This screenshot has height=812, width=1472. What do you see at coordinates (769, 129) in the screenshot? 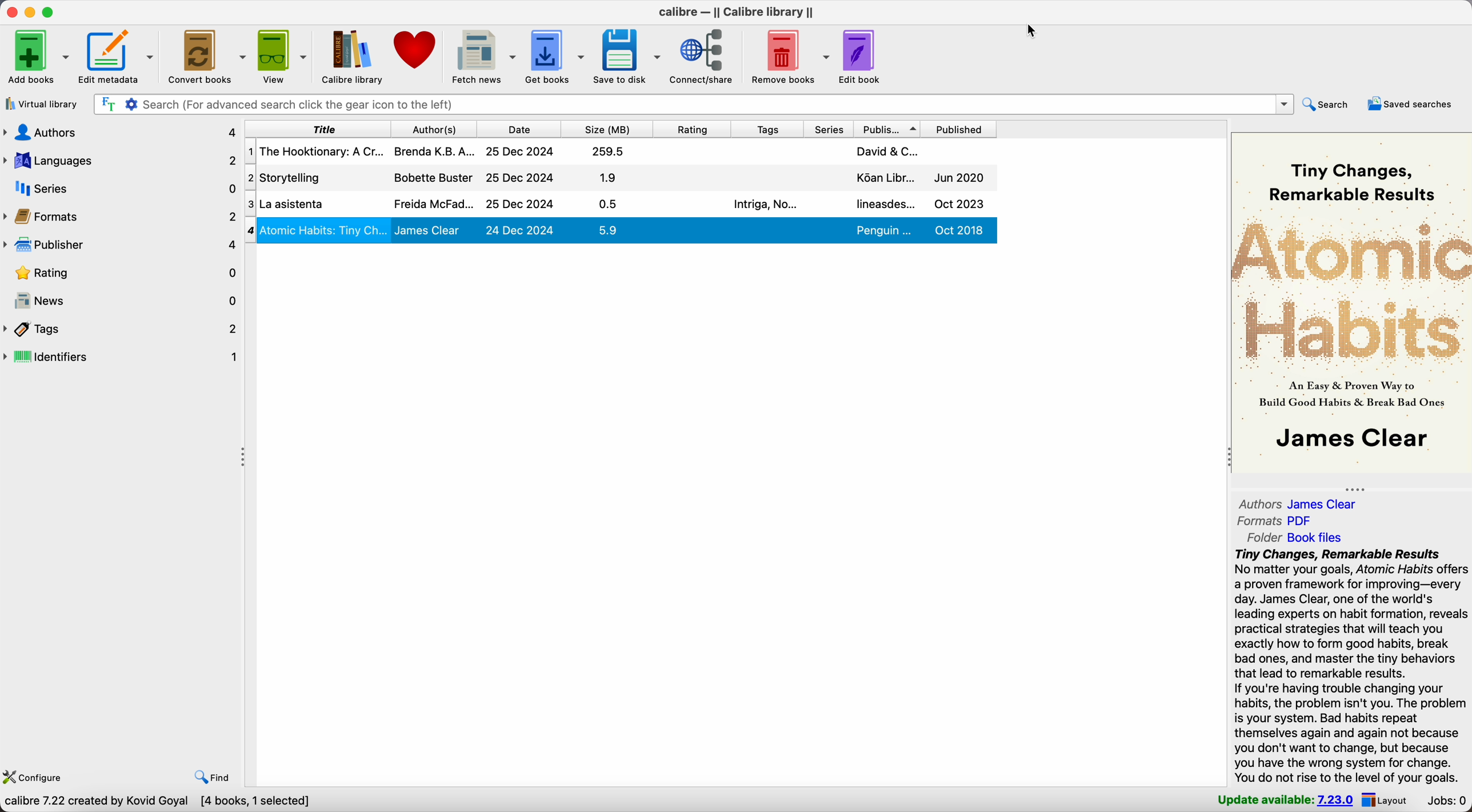
I see `tags` at bounding box center [769, 129].